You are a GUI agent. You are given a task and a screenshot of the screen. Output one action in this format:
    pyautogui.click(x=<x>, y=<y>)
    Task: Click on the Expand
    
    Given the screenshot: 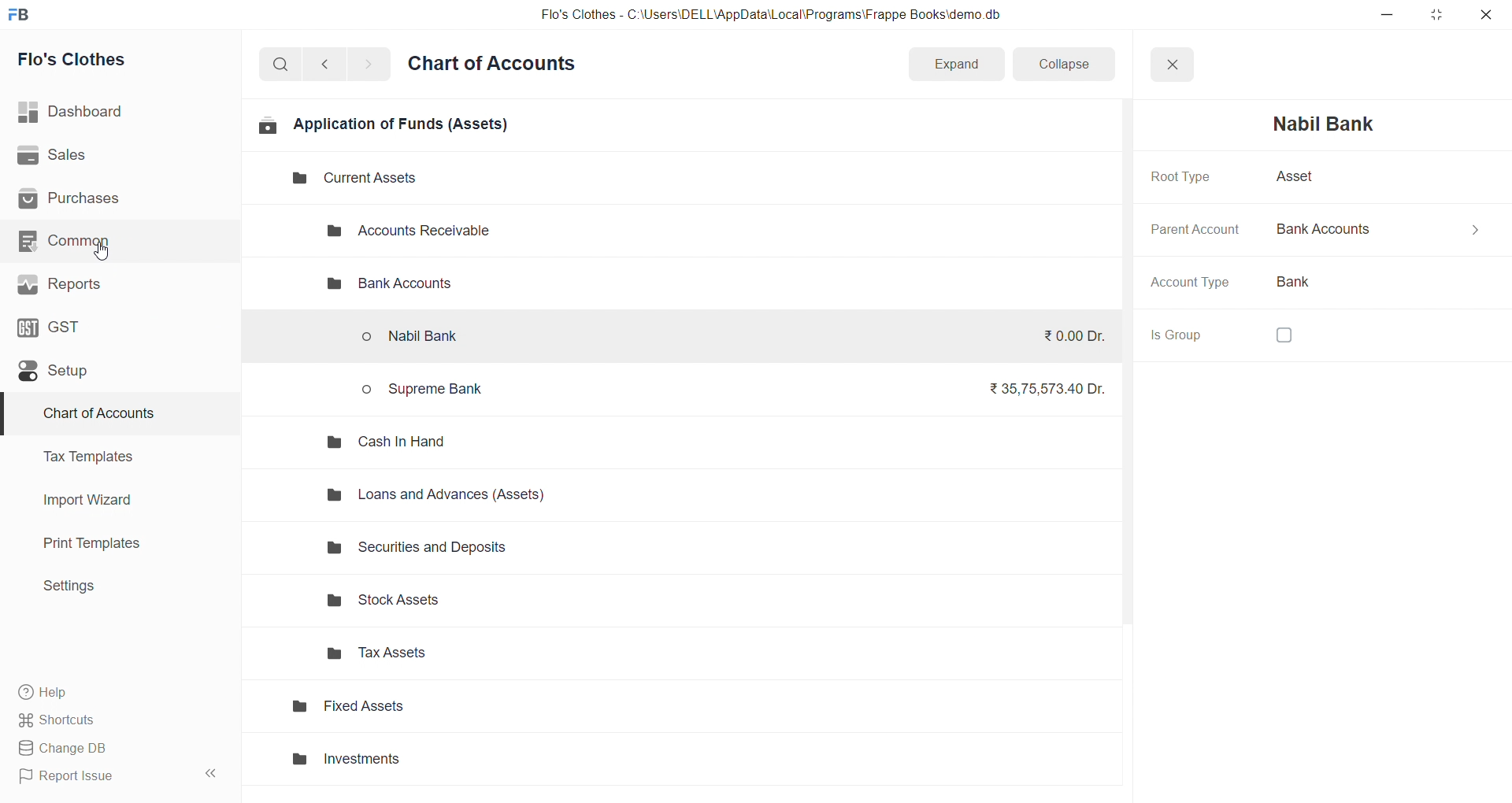 What is the action you would take?
    pyautogui.click(x=956, y=62)
    